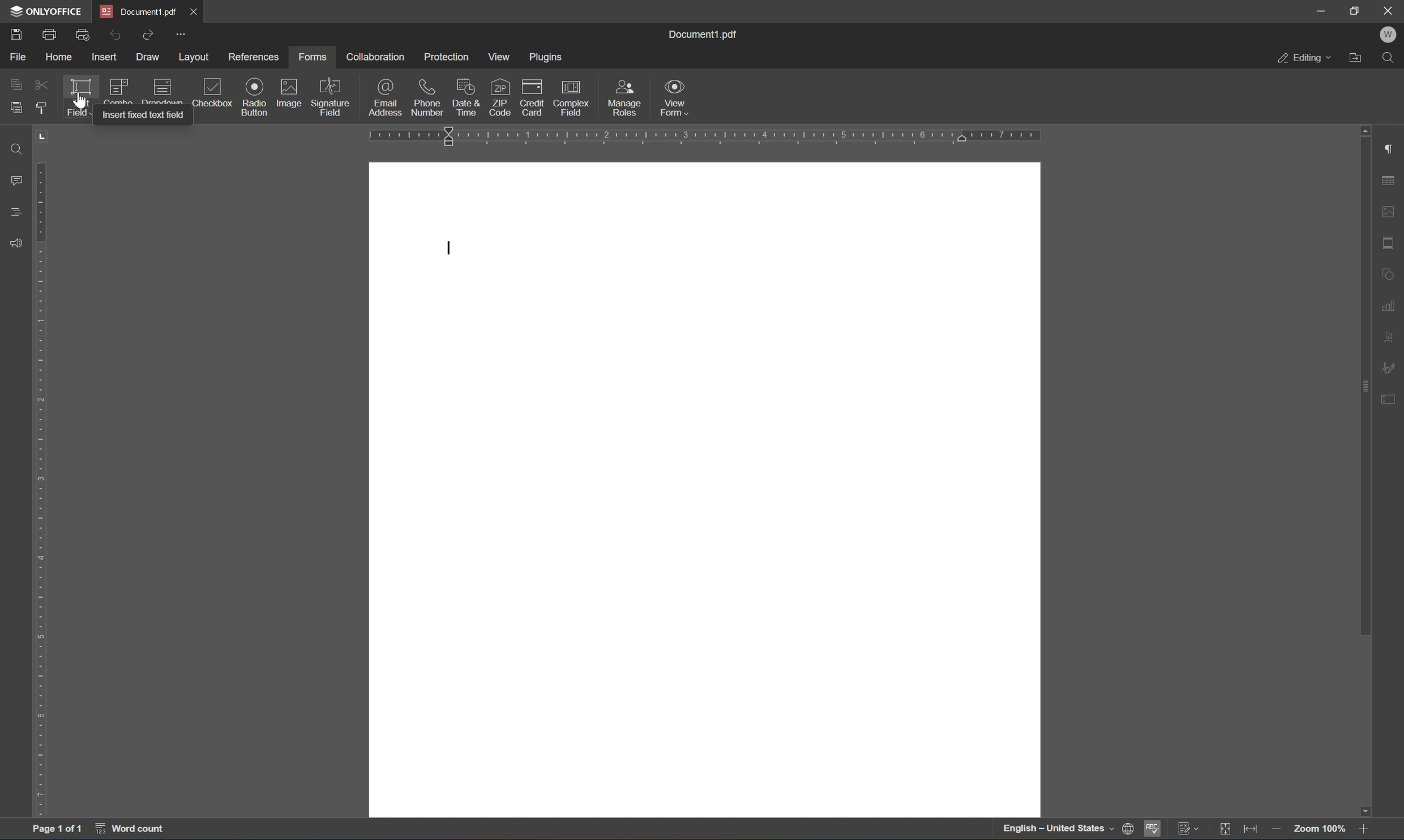 The image size is (1404, 840). I want to click on collaboration, so click(377, 57).